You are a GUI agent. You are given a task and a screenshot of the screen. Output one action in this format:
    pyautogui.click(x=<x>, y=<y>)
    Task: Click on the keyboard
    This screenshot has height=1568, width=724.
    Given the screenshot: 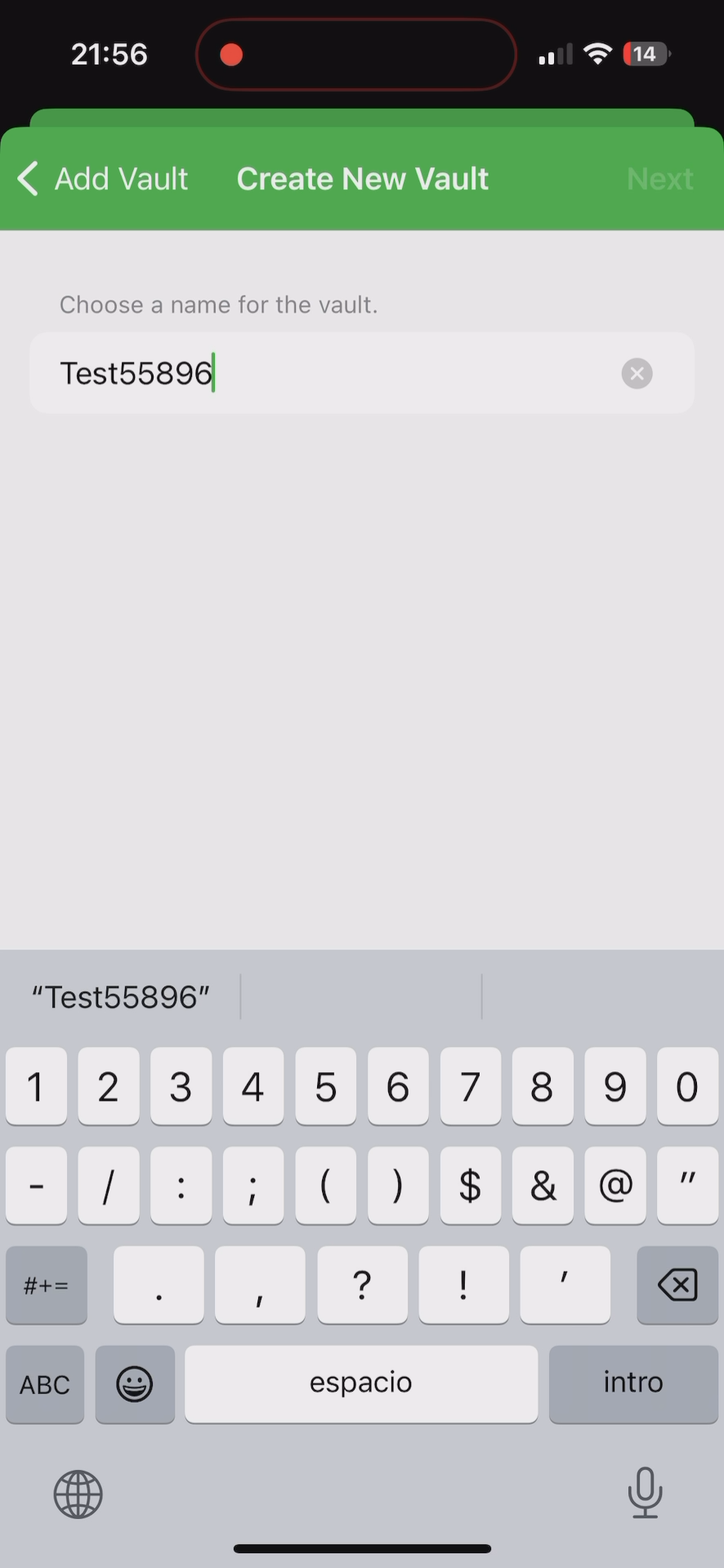 What is the action you would take?
    pyautogui.click(x=360, y=1239)
    